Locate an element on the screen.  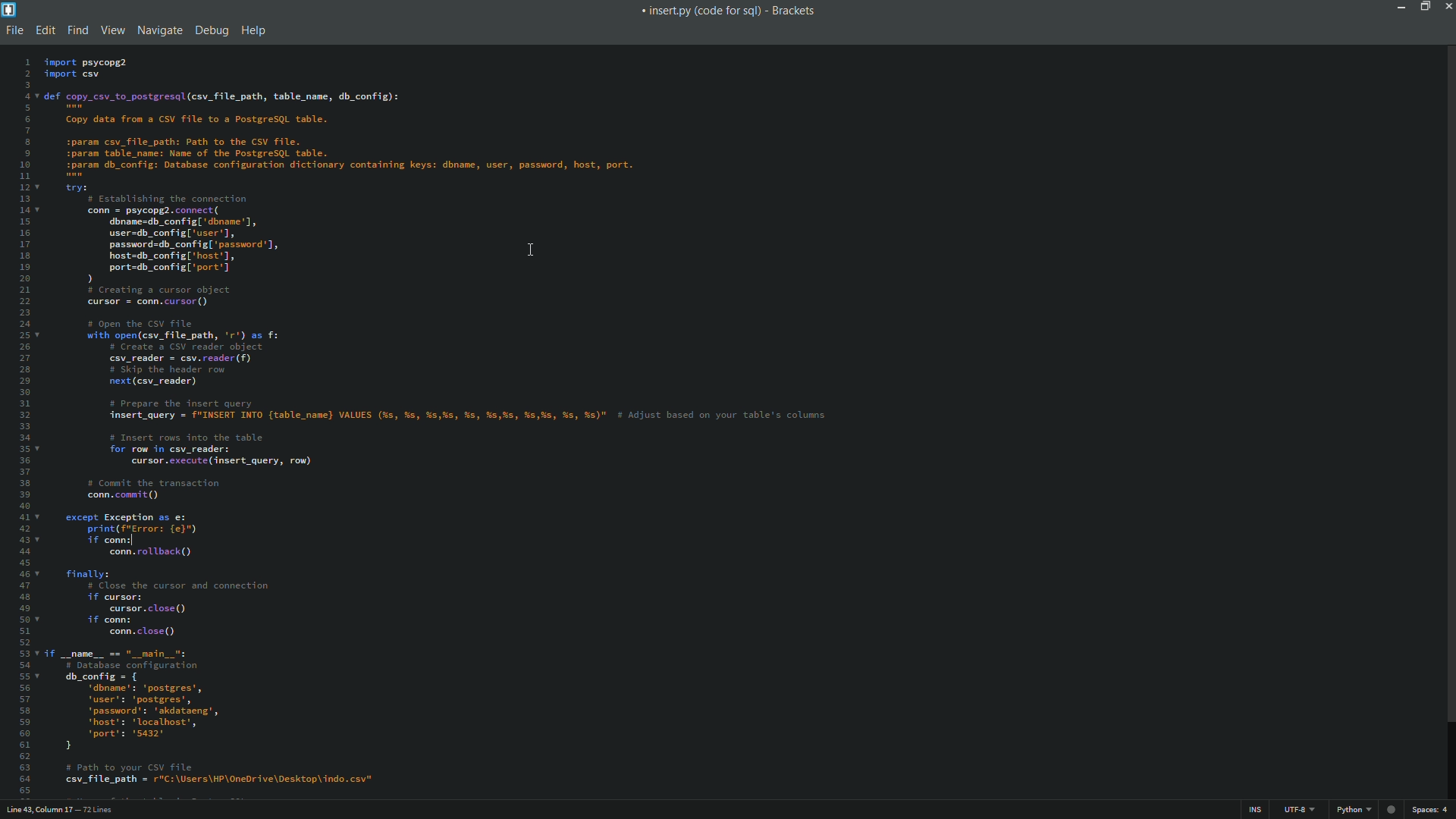
find menu is located at coordinates (78, 30).